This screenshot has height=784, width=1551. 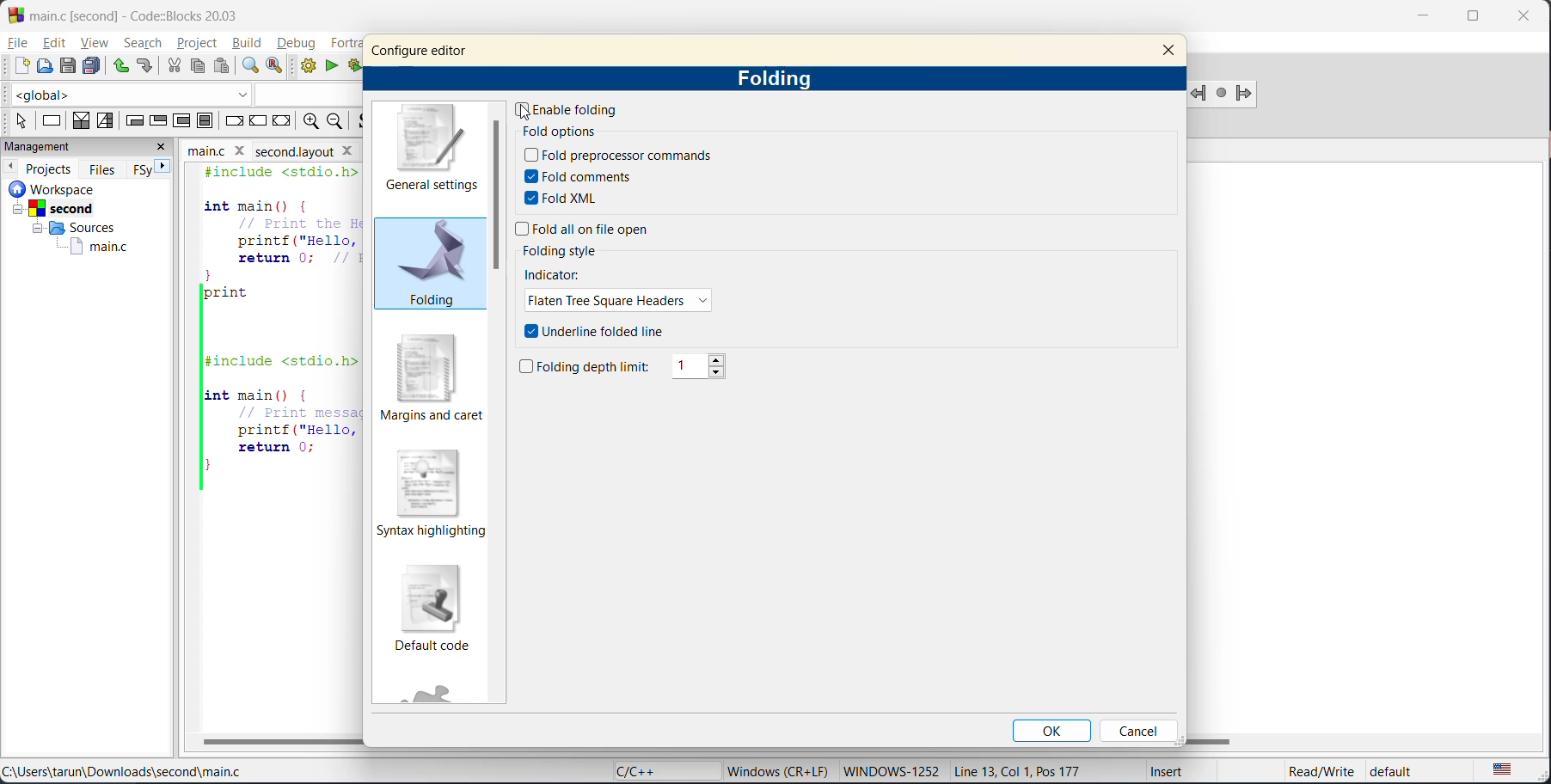 I want to click on zoom in, so click(x=309, y=122).